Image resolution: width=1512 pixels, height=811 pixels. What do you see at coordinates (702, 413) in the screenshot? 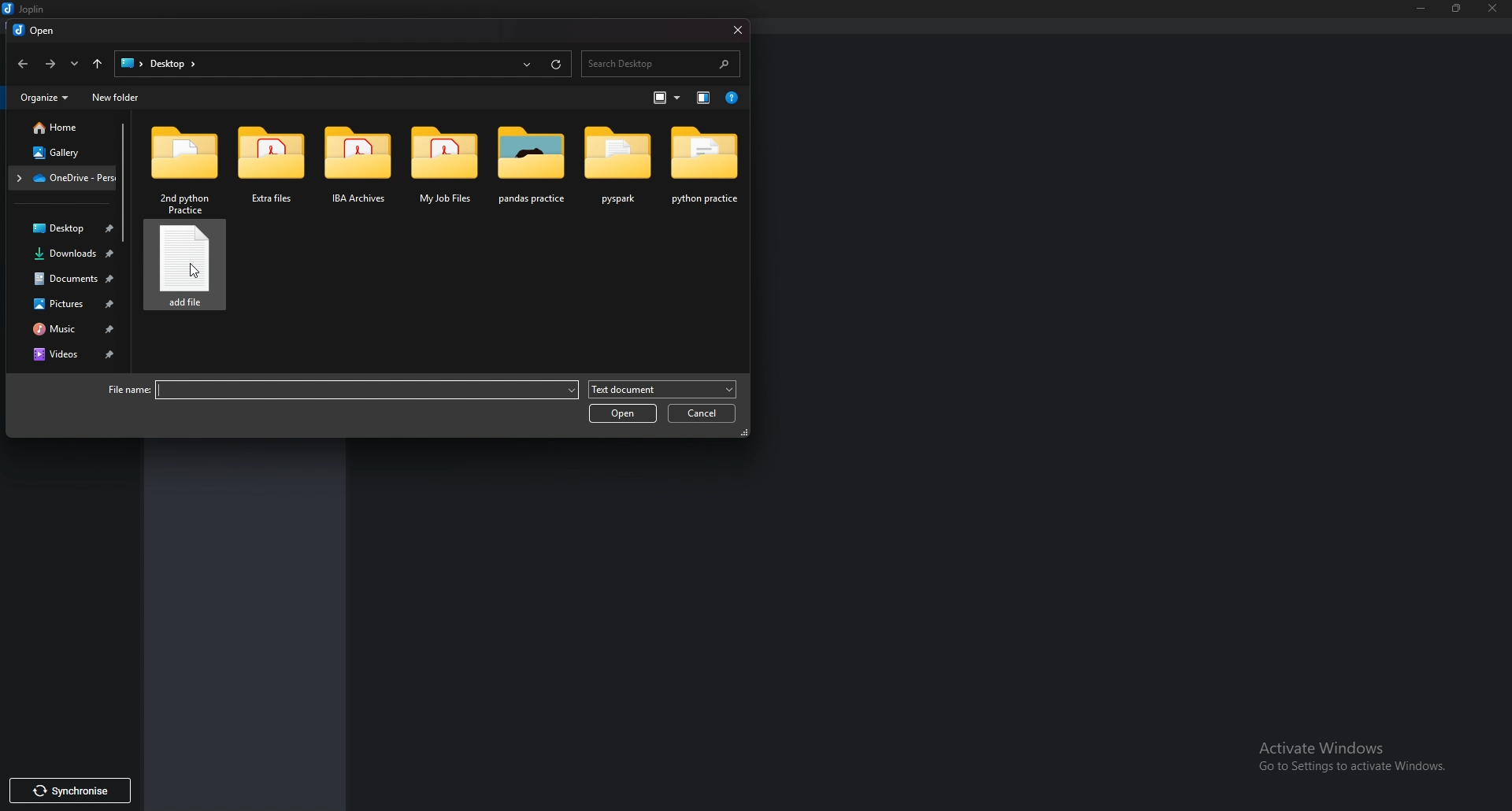
I see `Cancel` at bounding box center [702, 413].